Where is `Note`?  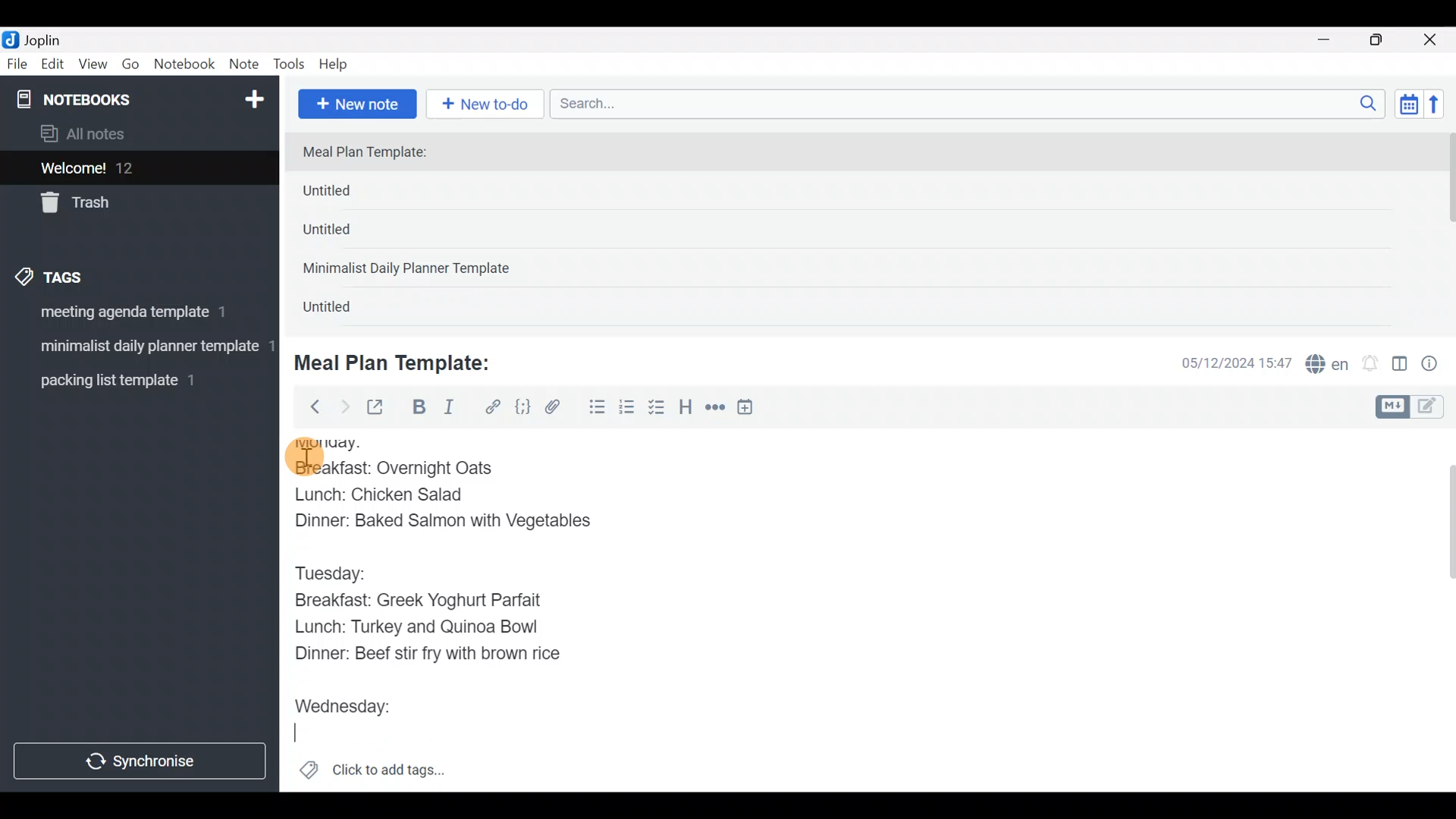
Note is located at coordinates (247, 65).